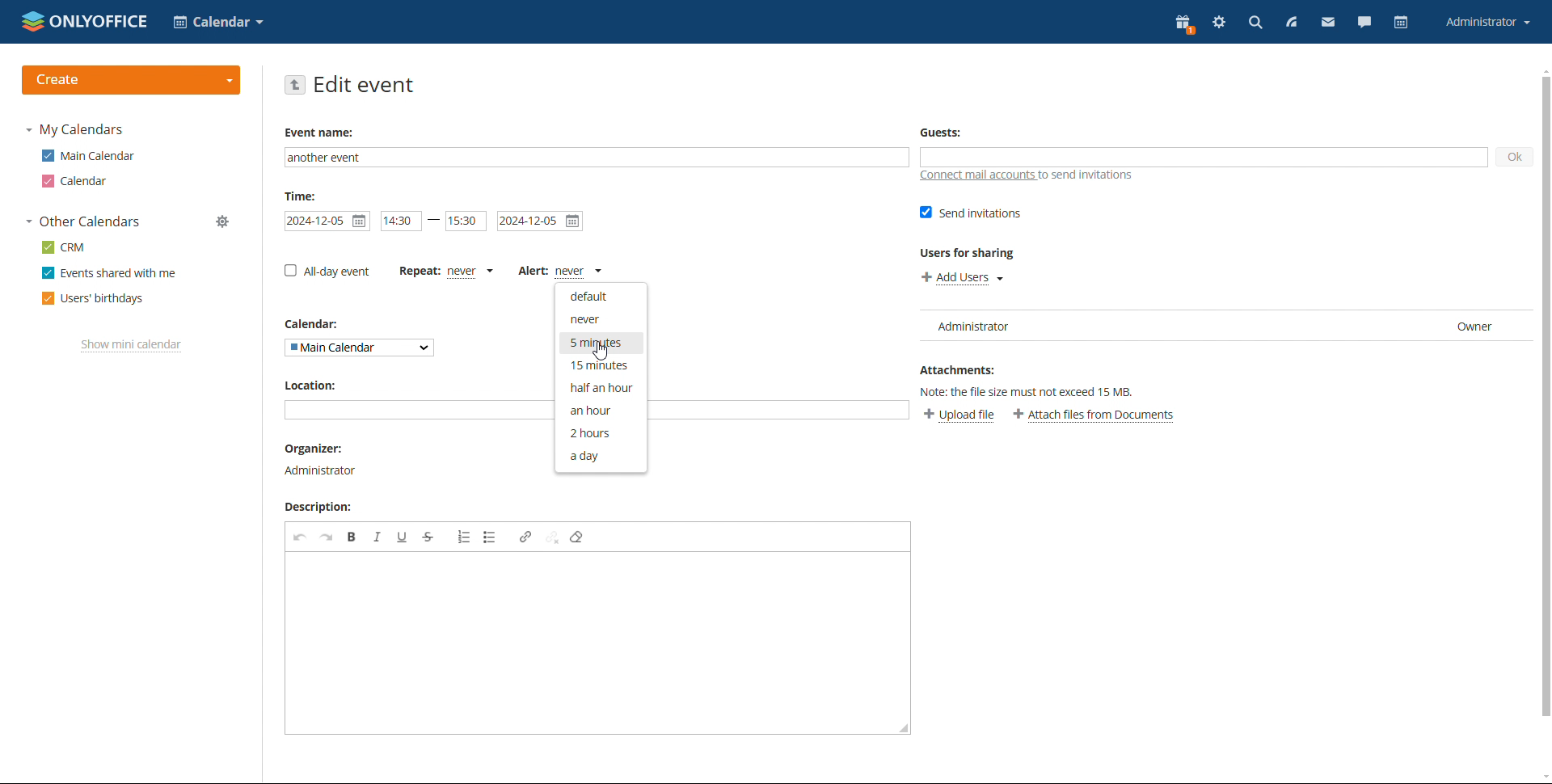 The height and width of the screenshot is (784, 1552). Describe the element at coordinates (74, 130) in the screenshot. I see `my calendars` at that location.